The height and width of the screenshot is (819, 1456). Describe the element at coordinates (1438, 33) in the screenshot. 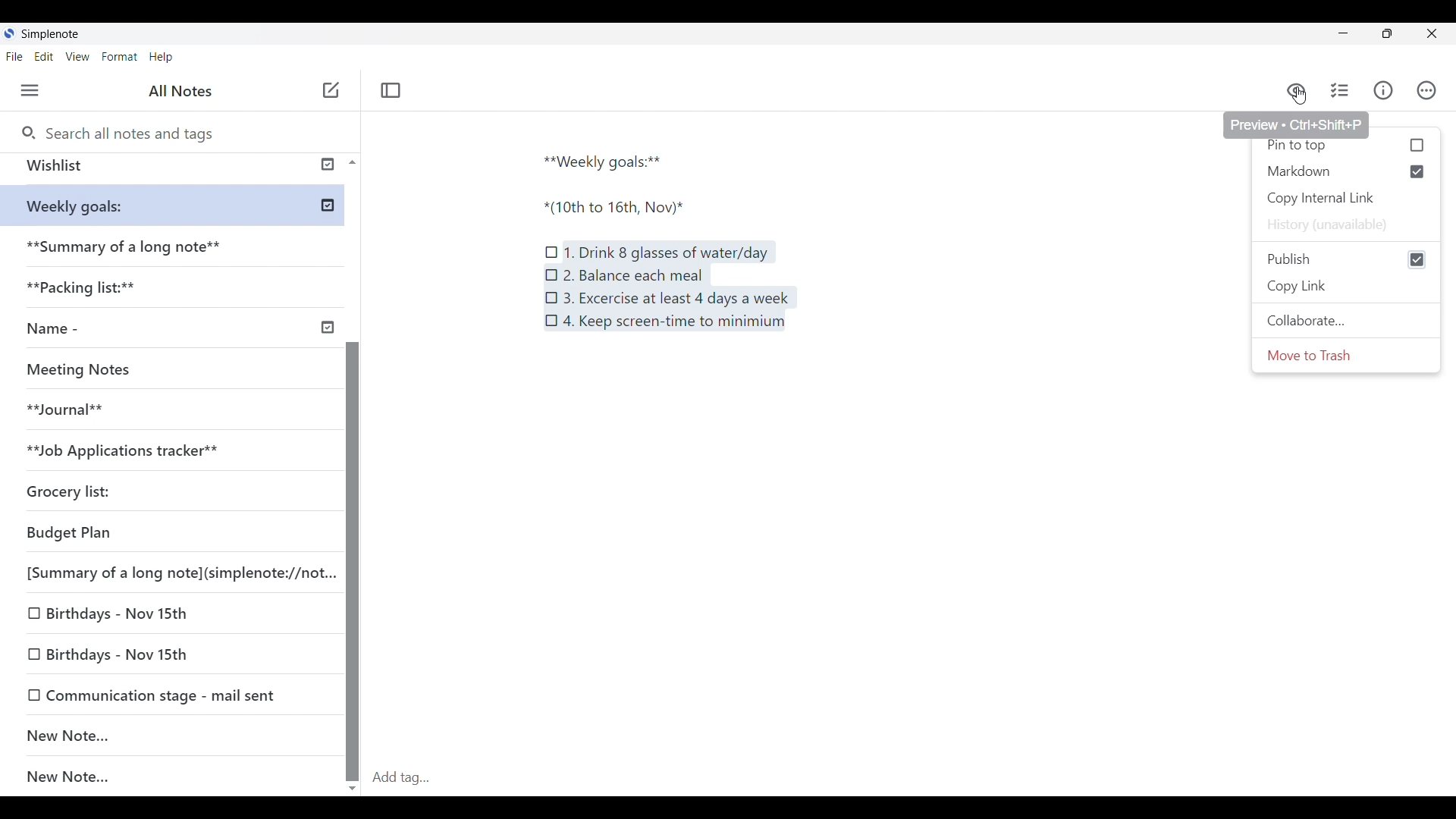

I see `Close` at that location.